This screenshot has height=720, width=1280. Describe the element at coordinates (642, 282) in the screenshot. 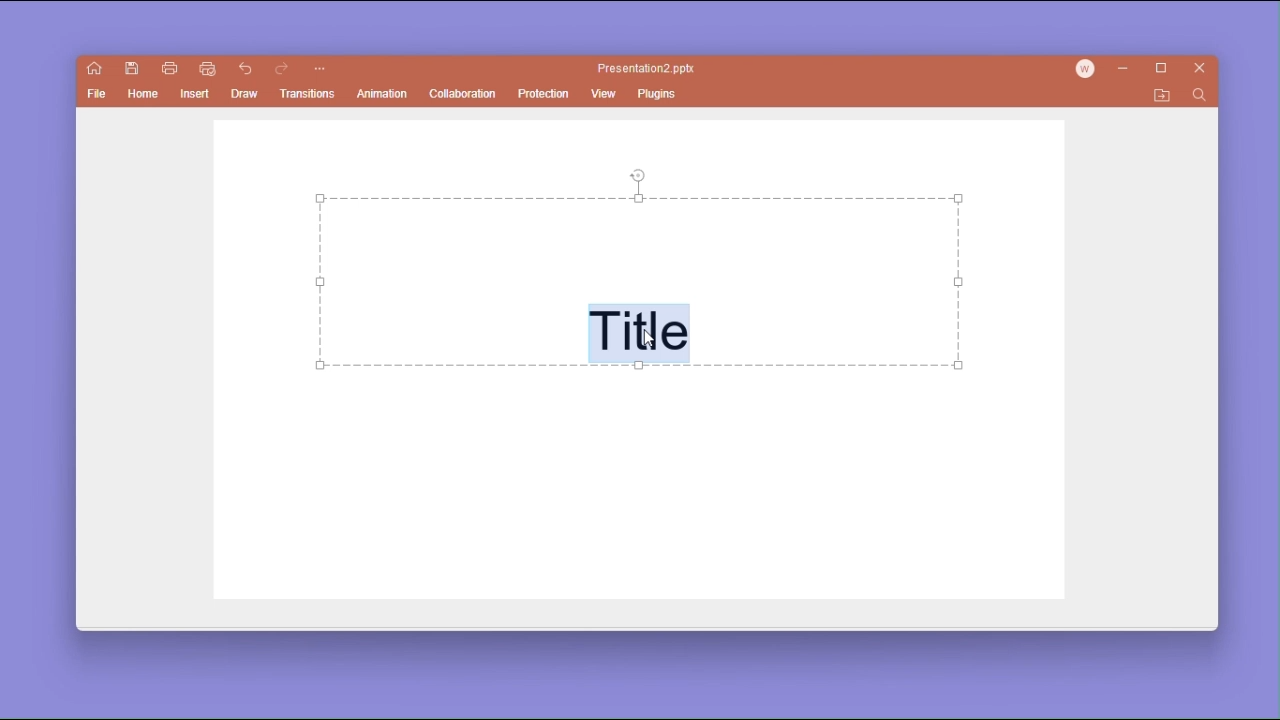

I see `text box` at that location.